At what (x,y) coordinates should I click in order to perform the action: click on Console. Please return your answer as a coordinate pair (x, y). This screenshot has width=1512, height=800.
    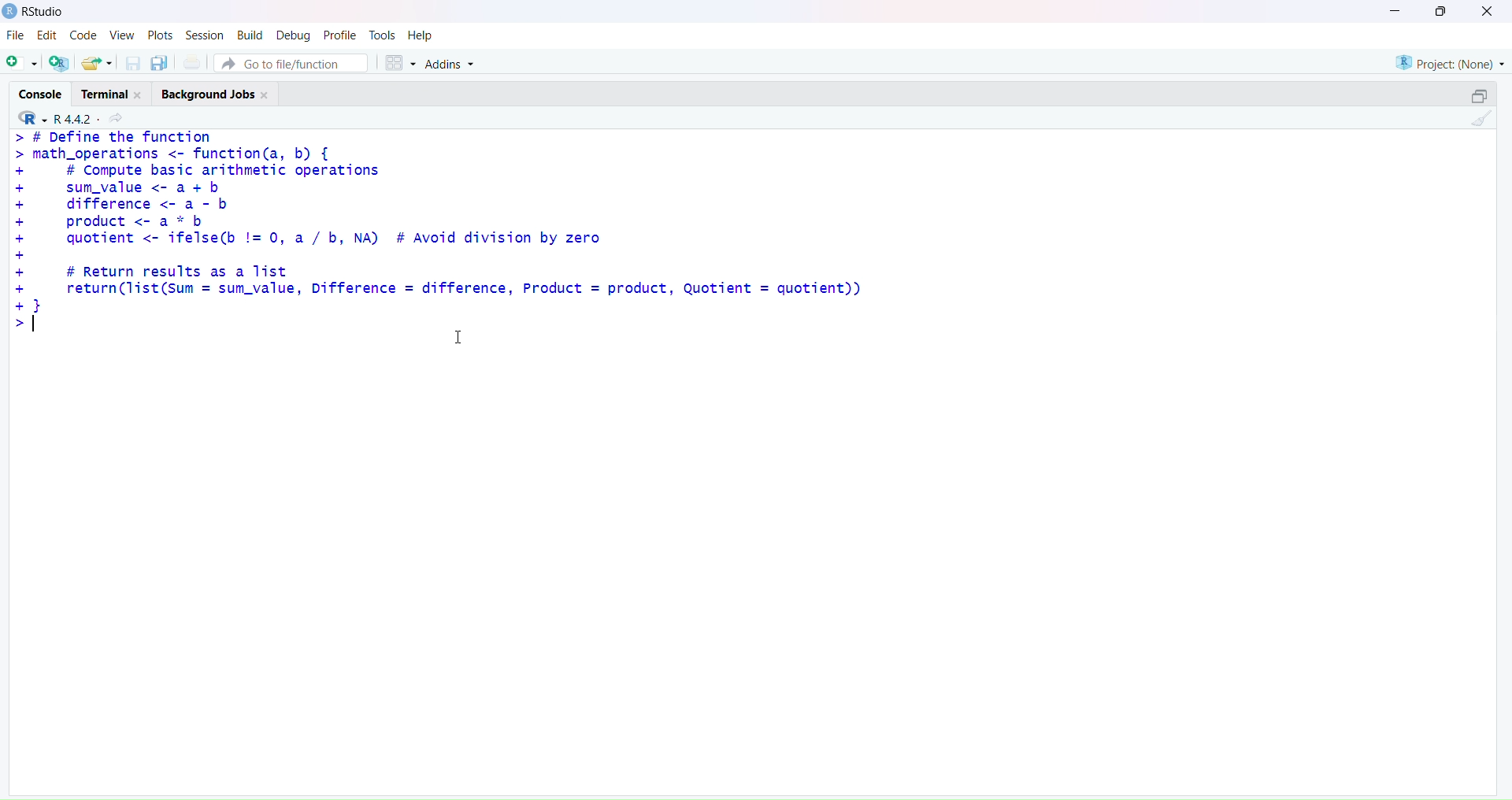
    Looking at the image, I should click on (40, 94).